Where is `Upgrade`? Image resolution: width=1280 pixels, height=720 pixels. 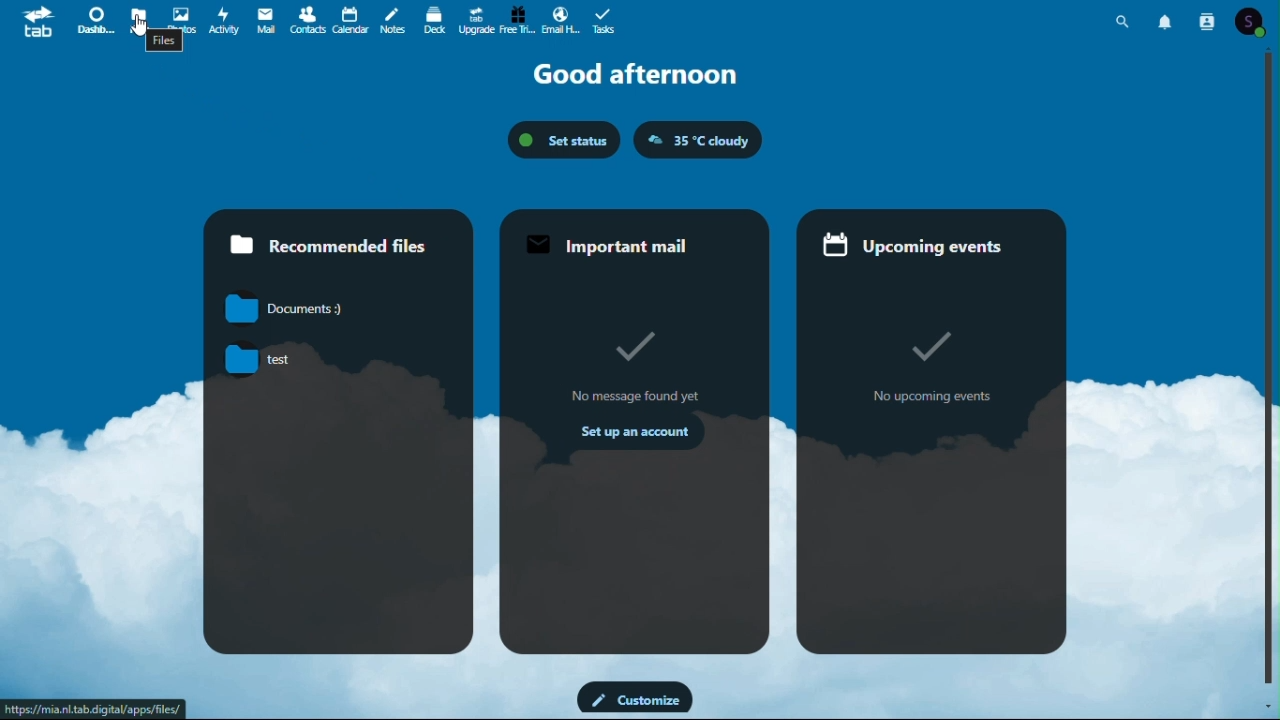 Upgrade is located at coordinates (476, 20).